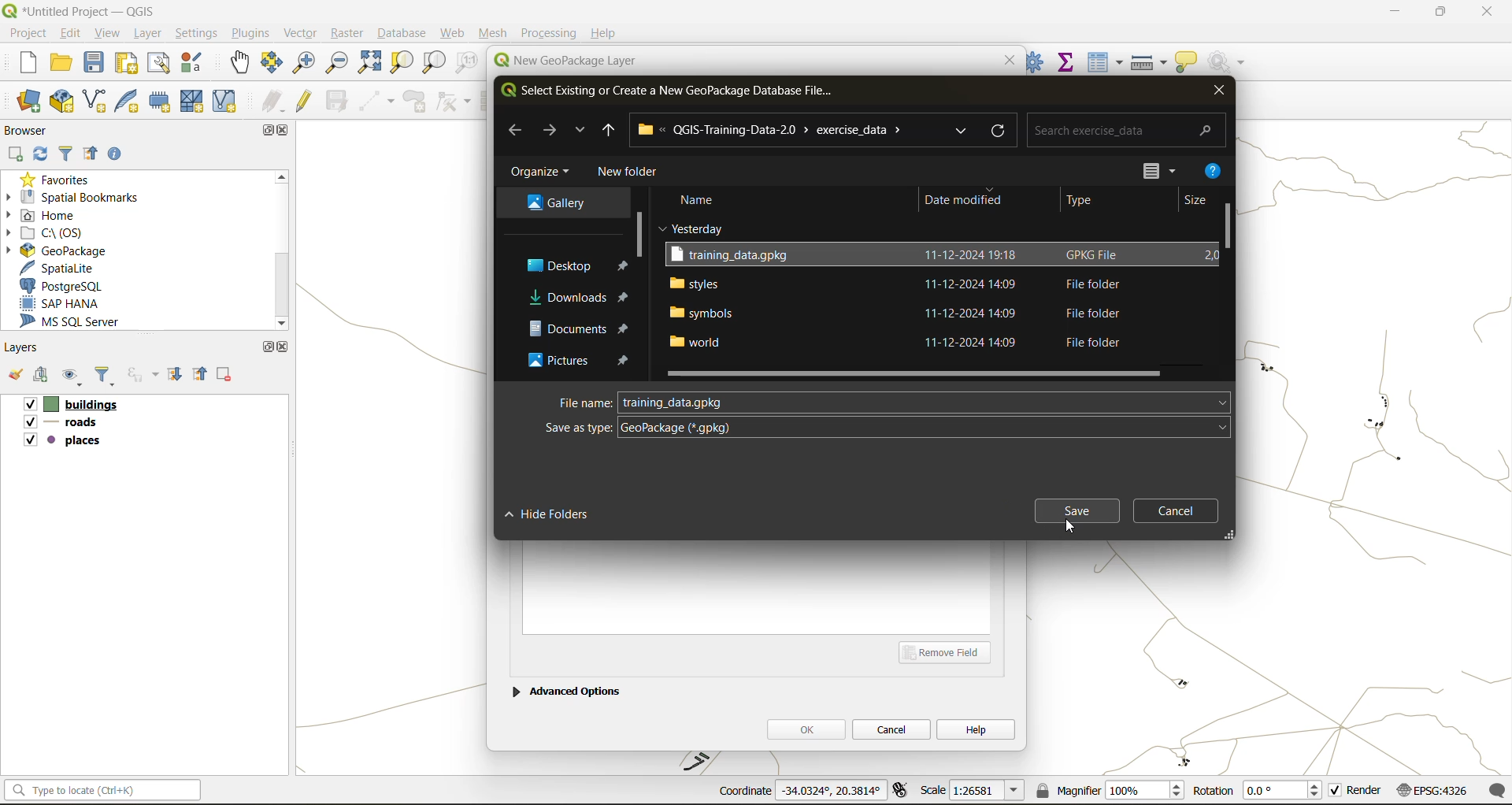 Image resolution: width=1512 pixels, height=805 pixels. Describe the element at coordinates (700, 198) in the screenshot. I see `name` at that location.